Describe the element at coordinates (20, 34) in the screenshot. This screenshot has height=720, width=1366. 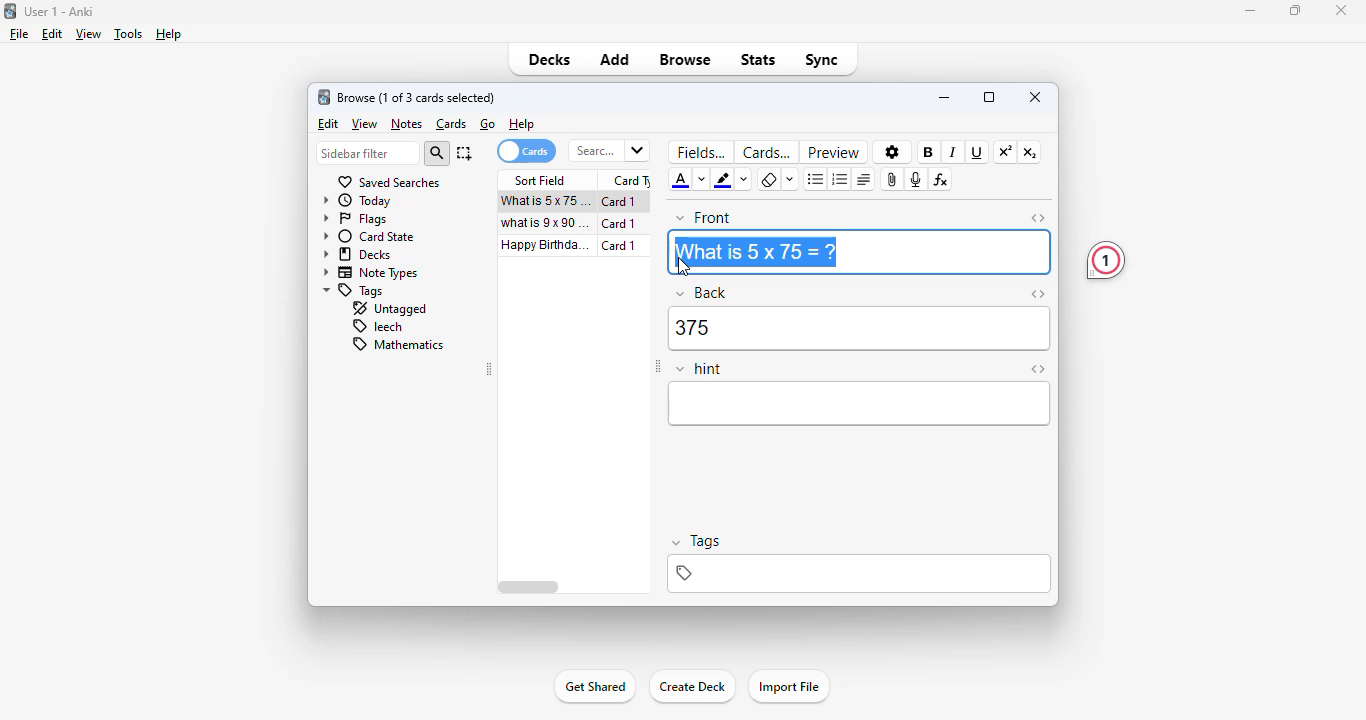
I see `file` at that location.